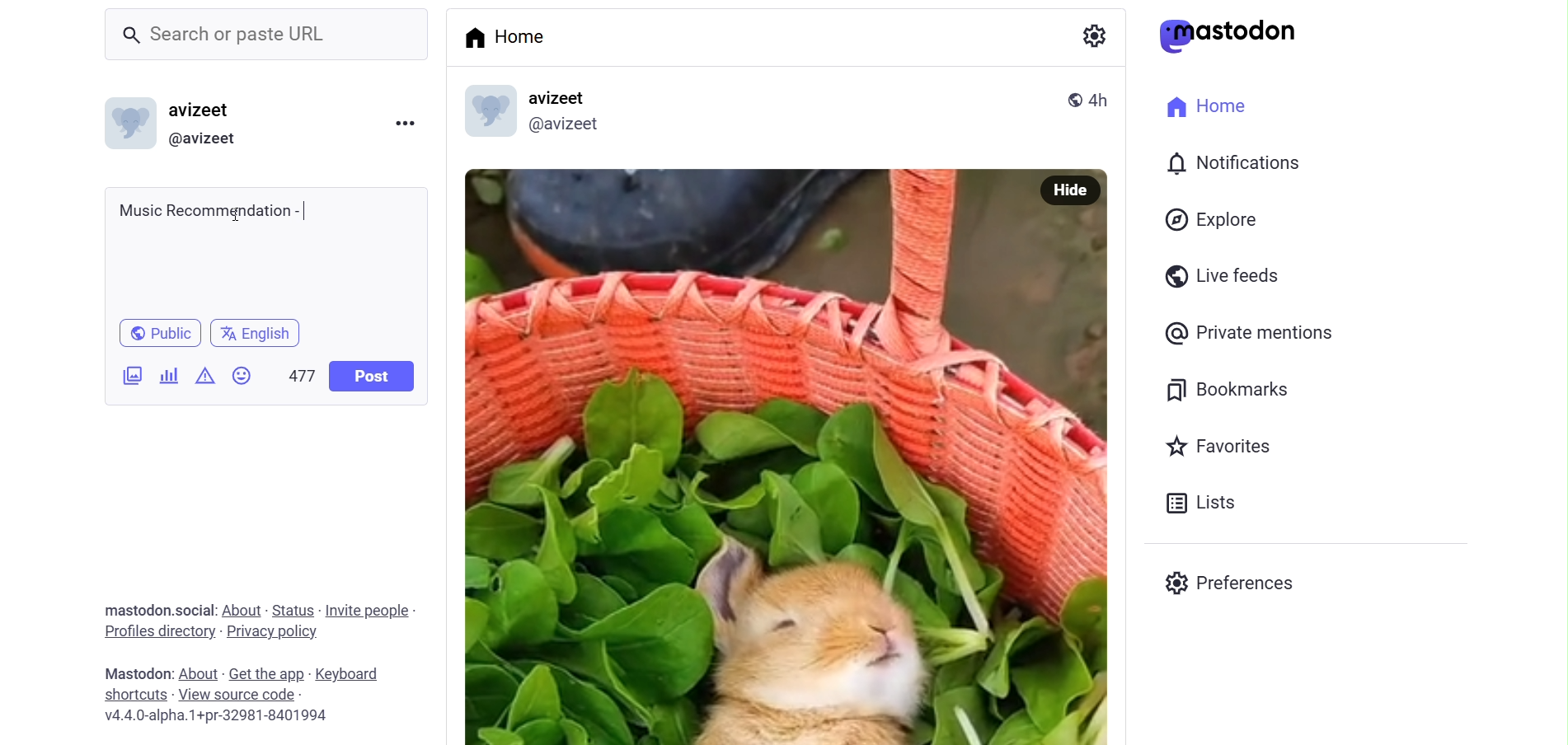 This screenshot has height=745, width=1568. What do you see at coordinates (373, 377) in the screenshot?
I see `Post` at bounding box center [373, 377].